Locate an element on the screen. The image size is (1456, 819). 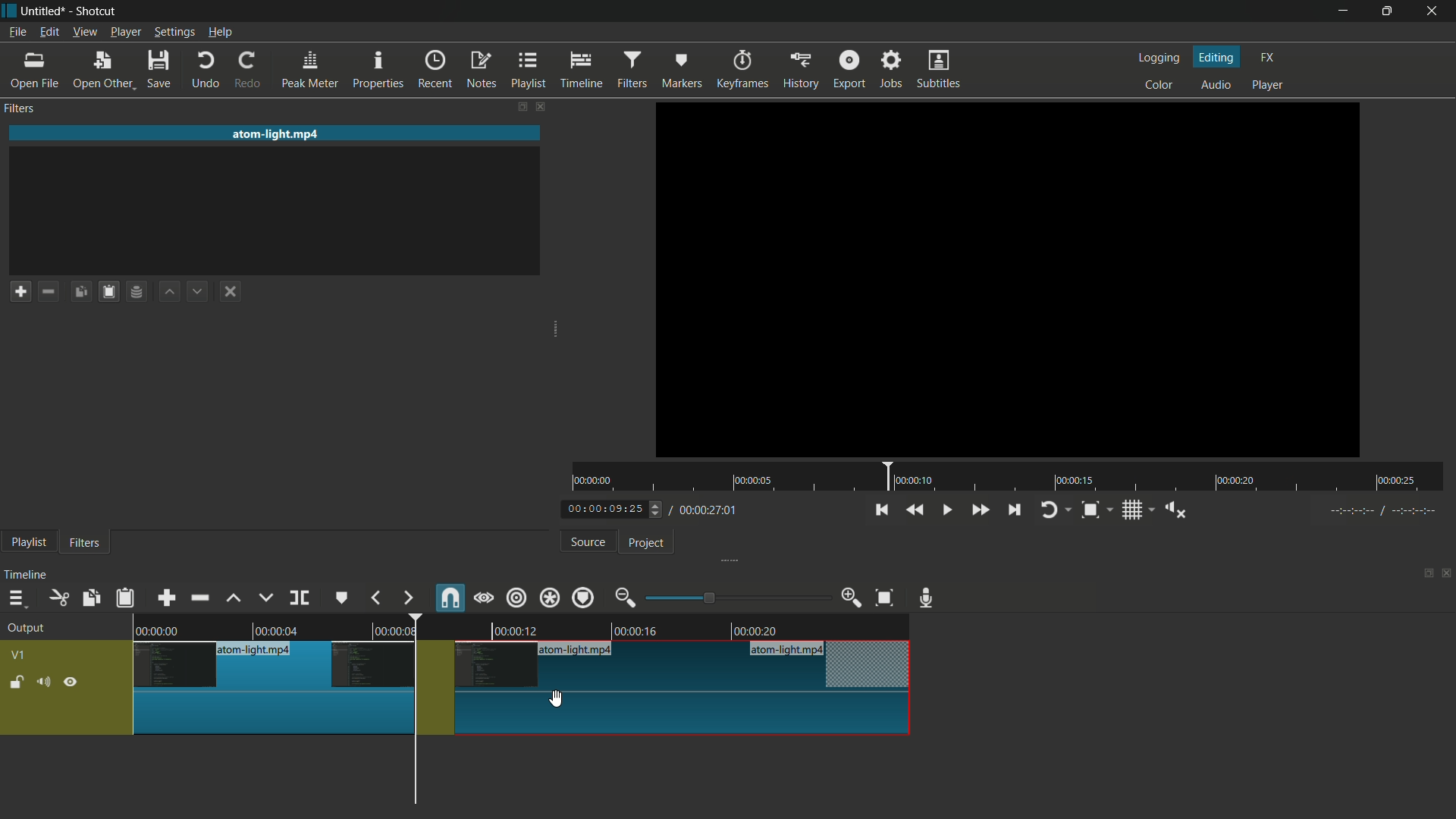
overwrite is located at coordinates (265, 598).